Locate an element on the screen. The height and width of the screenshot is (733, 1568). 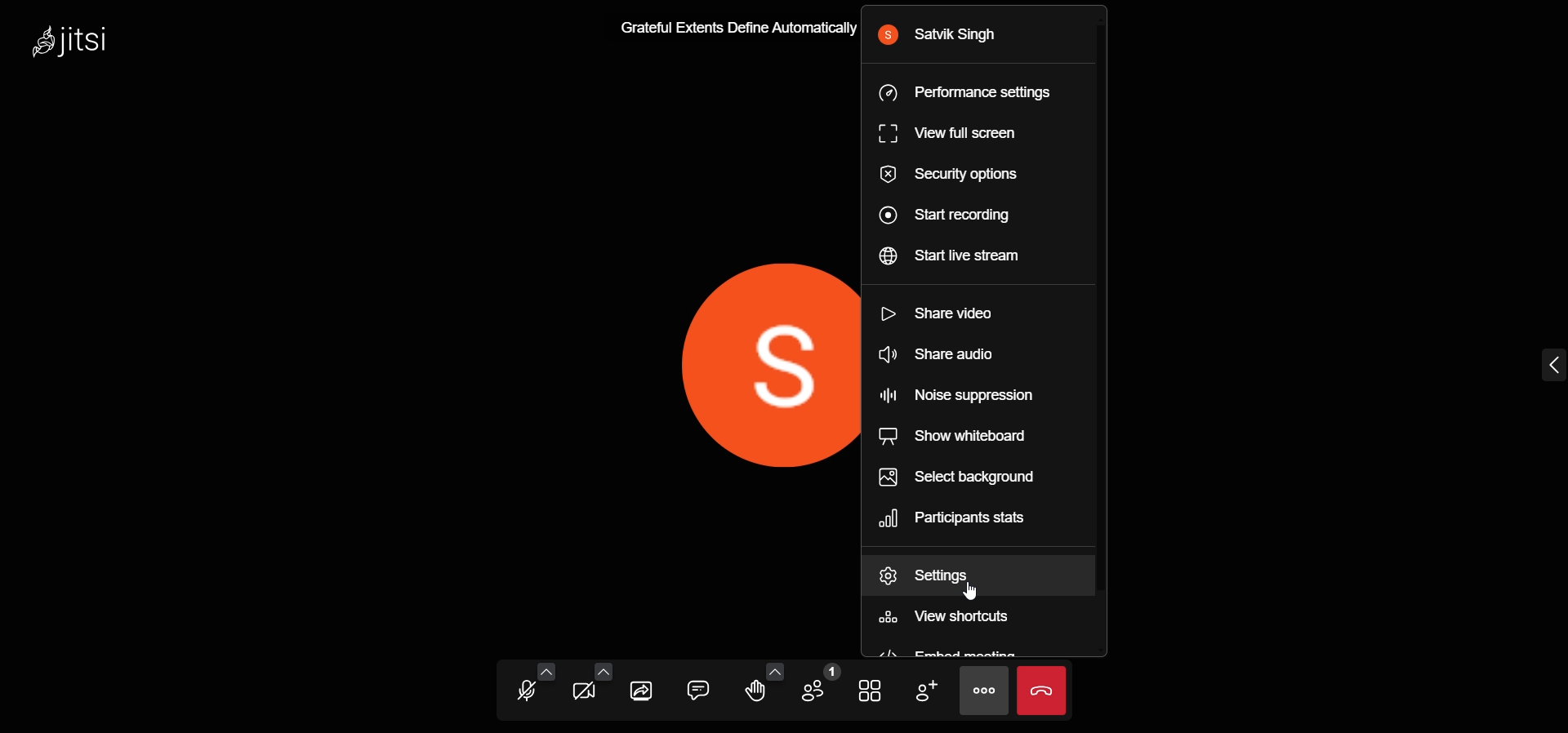
start recording is located at coordinates (942, 219).